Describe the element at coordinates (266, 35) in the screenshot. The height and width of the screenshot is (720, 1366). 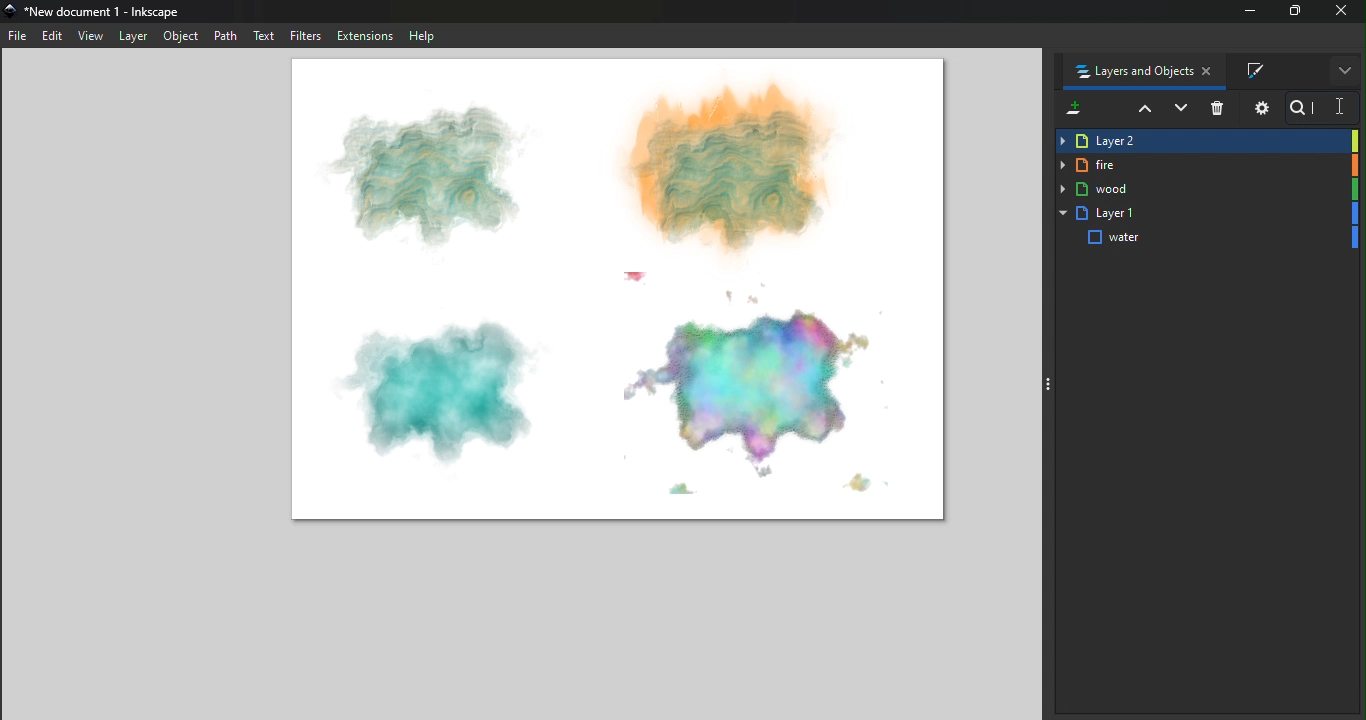
I see `Text` at that location.